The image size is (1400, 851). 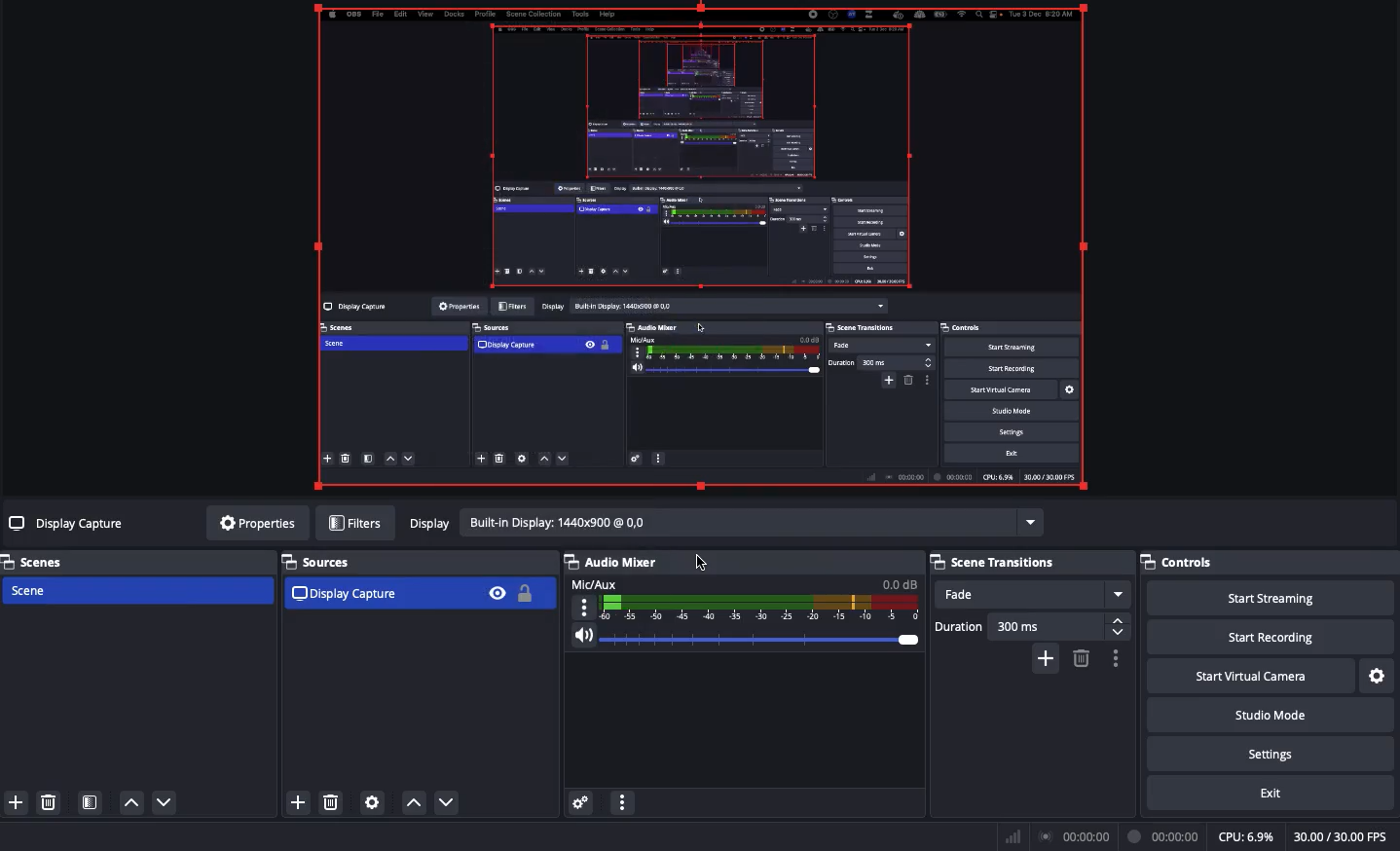 What do you see at coordinates (1269, 599) in the screenshot?
I see `Start streaming` at bounding box center [1269, 599].